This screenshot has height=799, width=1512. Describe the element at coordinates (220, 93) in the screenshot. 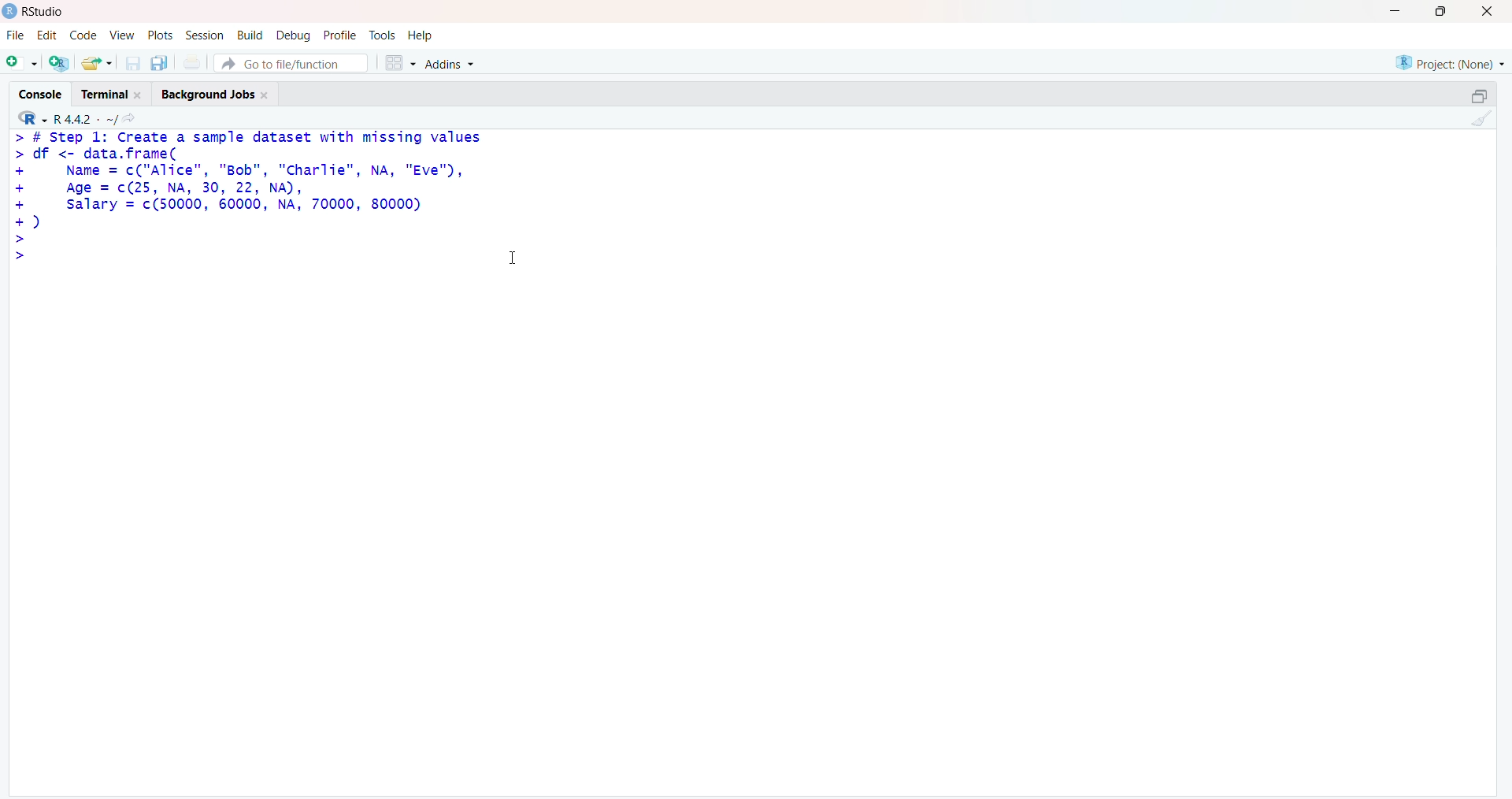

I see `Background Jobs` at that location.